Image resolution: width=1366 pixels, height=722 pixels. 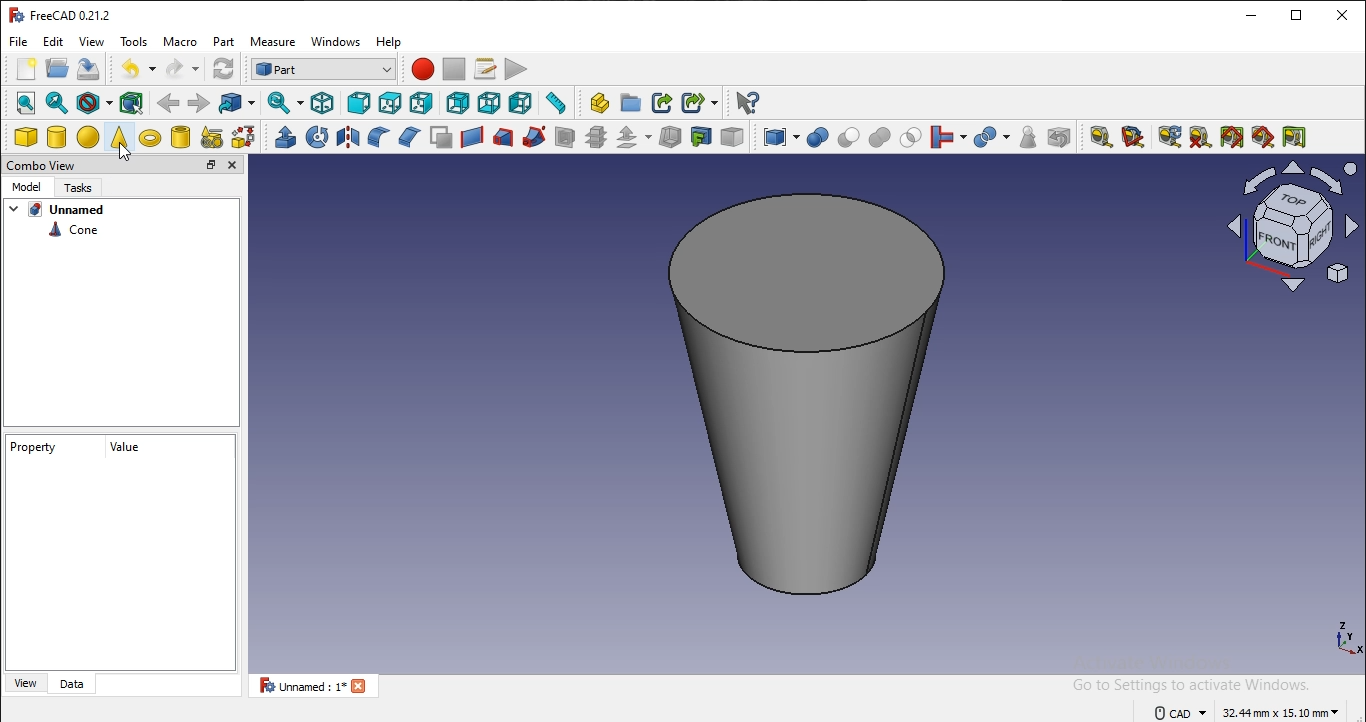 I want to click on , so click(x=816, y=138).